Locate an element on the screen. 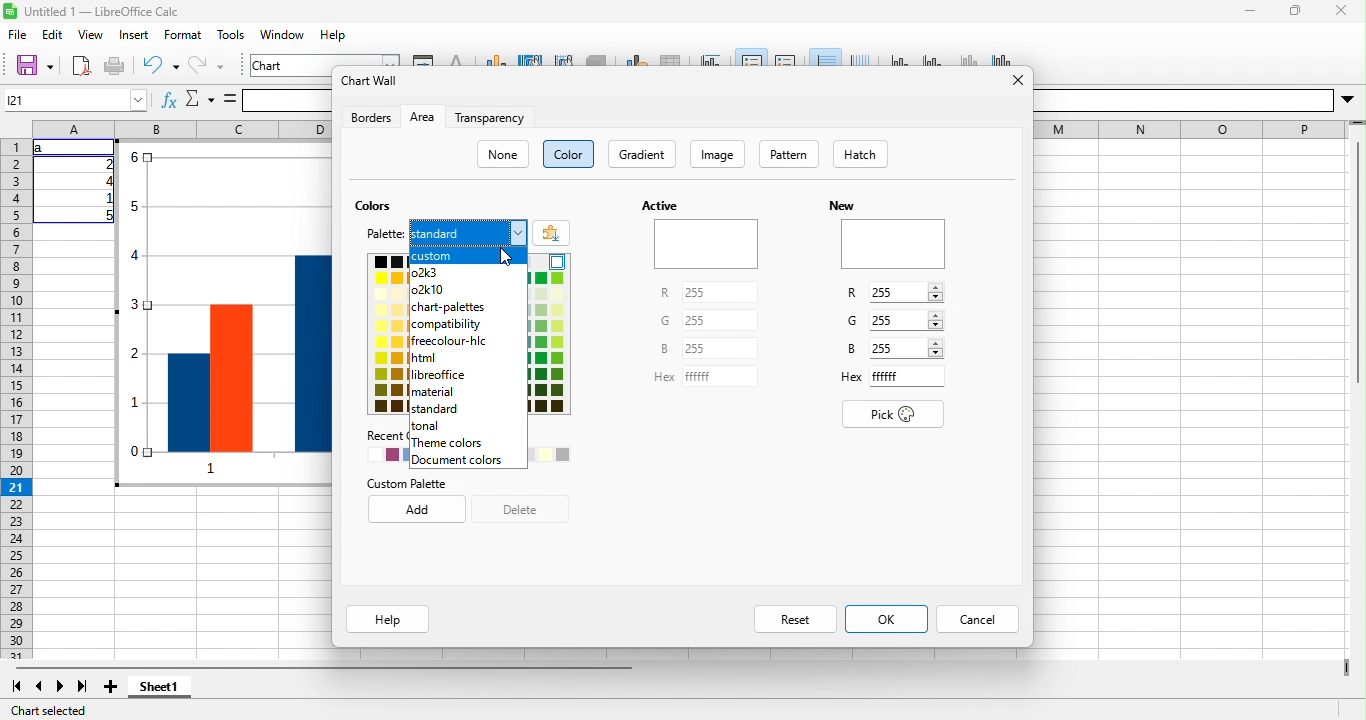 The height and width of the screenshot is (720, 1366). add sheet is located at coordinates (111, 686).